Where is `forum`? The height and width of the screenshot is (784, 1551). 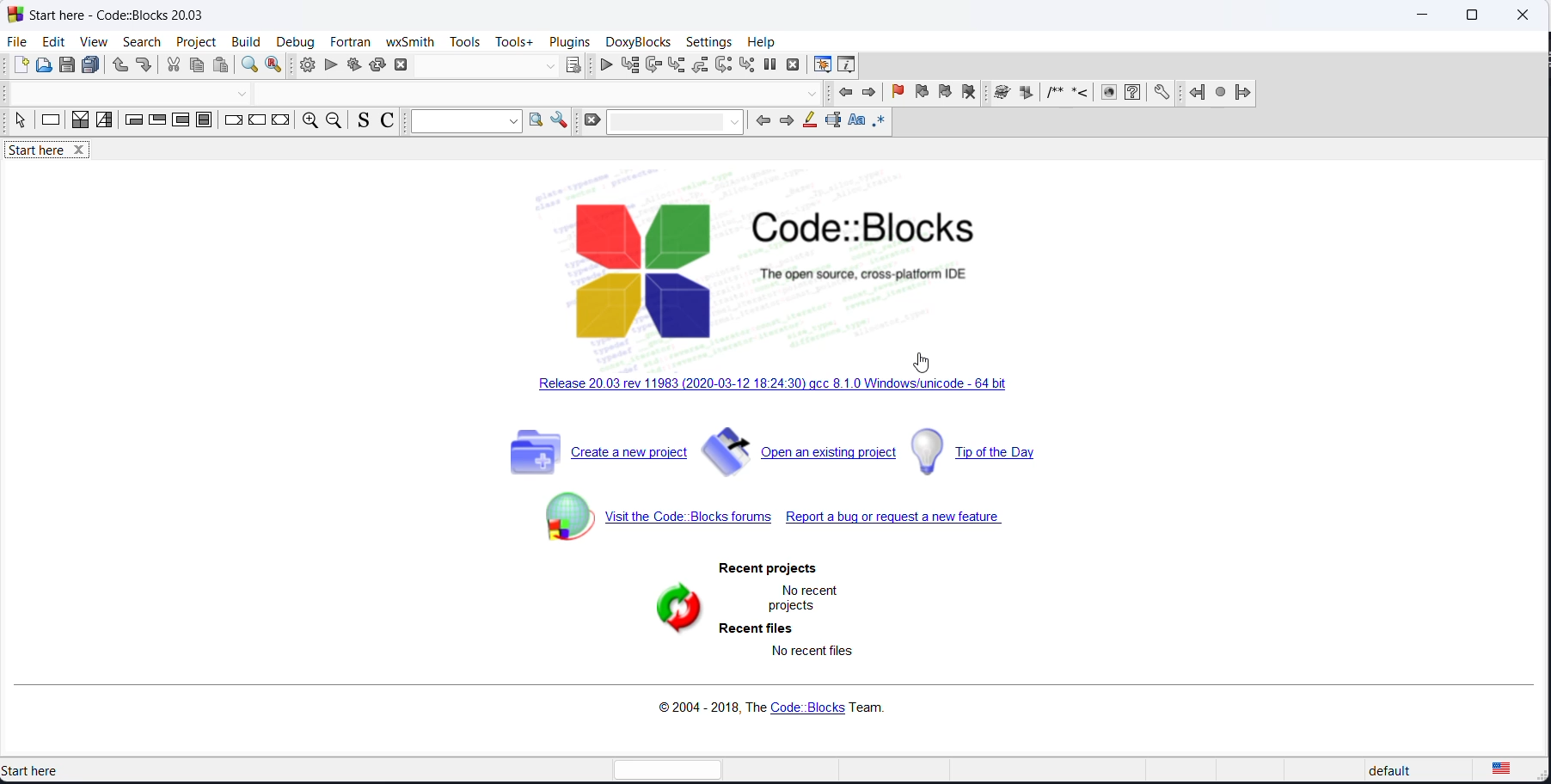
forum is located at coordinates (643, 523).